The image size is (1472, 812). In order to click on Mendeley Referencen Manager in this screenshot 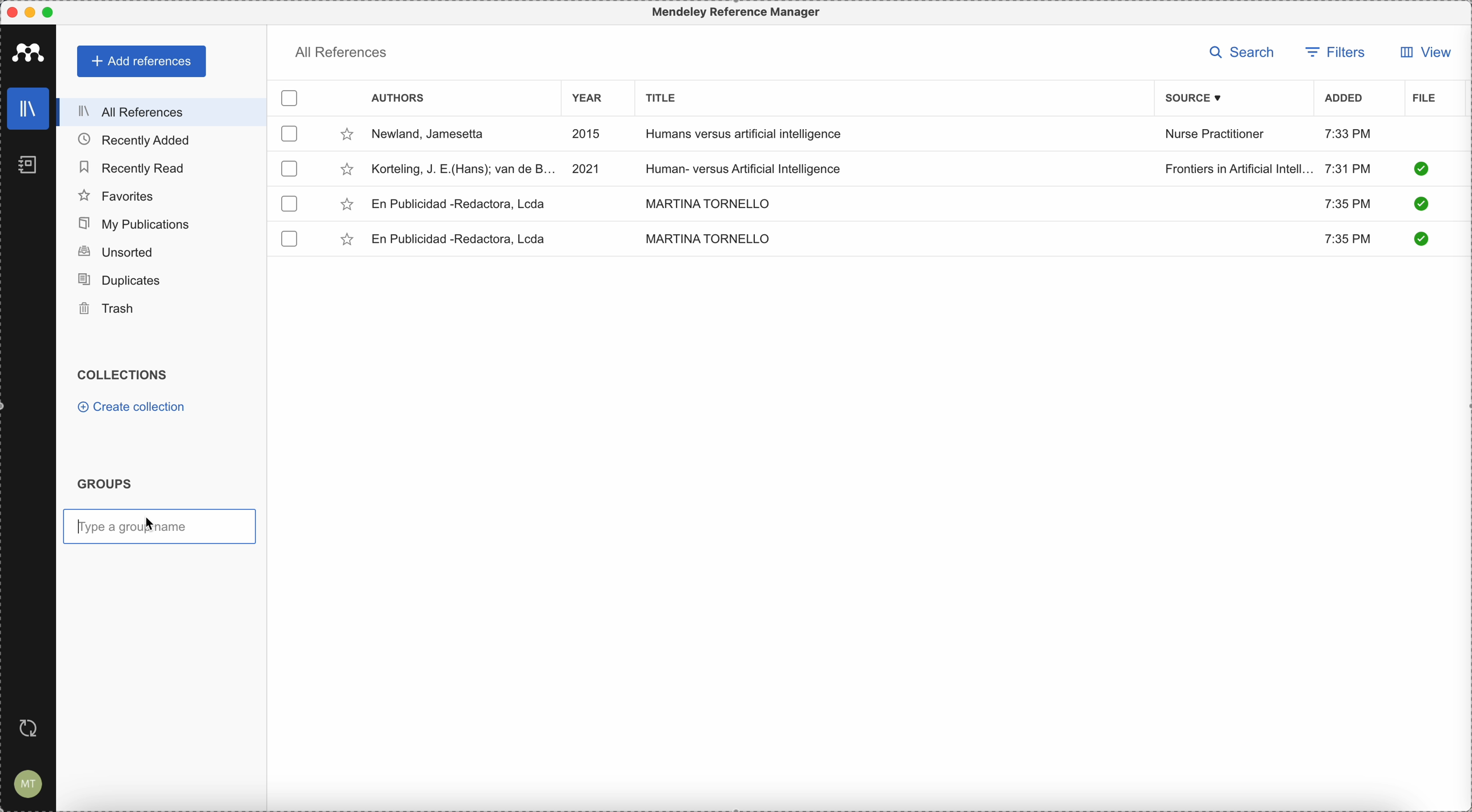, I will do `click(739, 13)`.